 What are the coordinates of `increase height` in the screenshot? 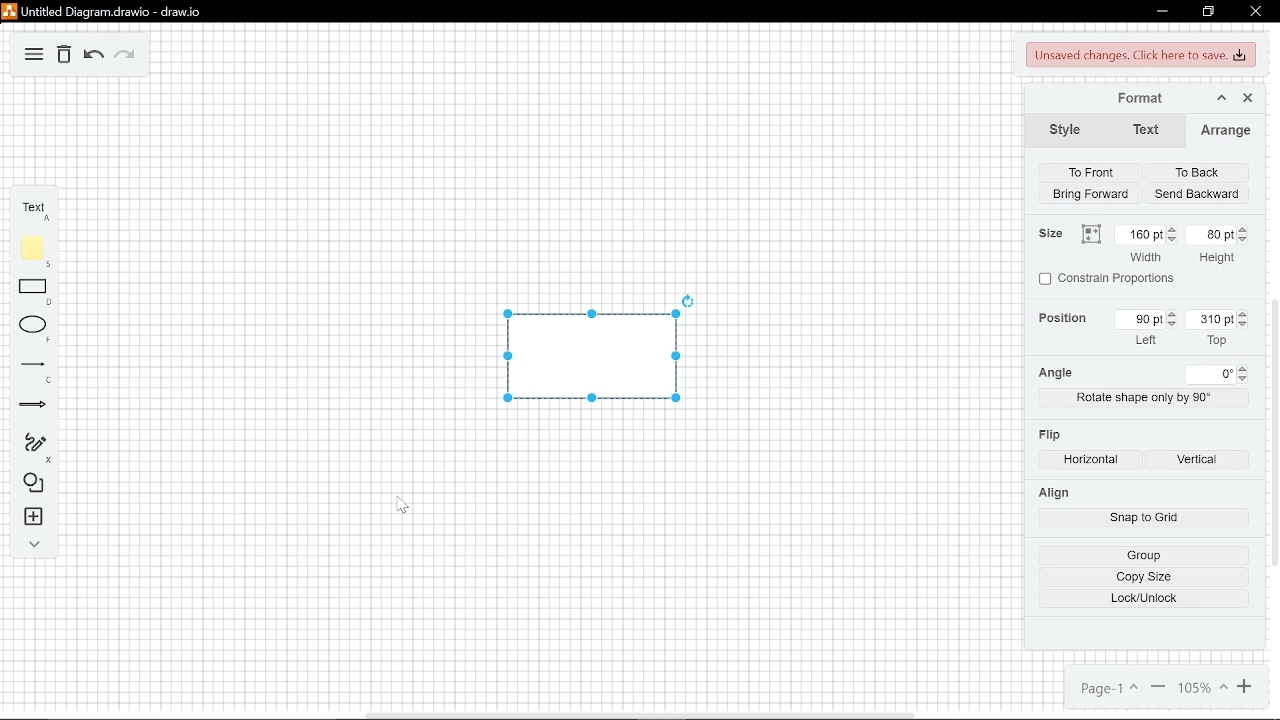 It's located at (1244, 229).